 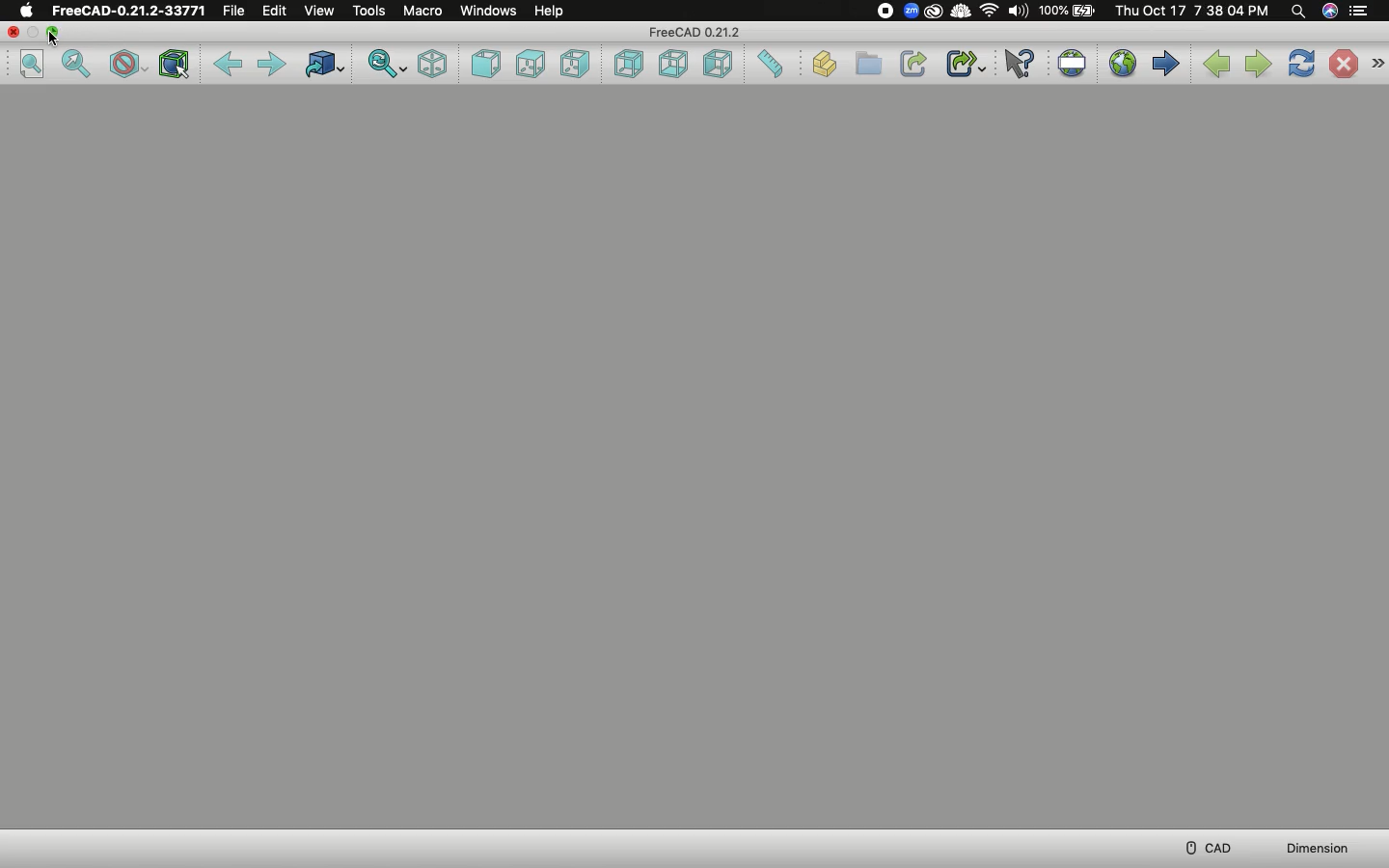 I want to click on Measure distance, so click(x=773, y=66).